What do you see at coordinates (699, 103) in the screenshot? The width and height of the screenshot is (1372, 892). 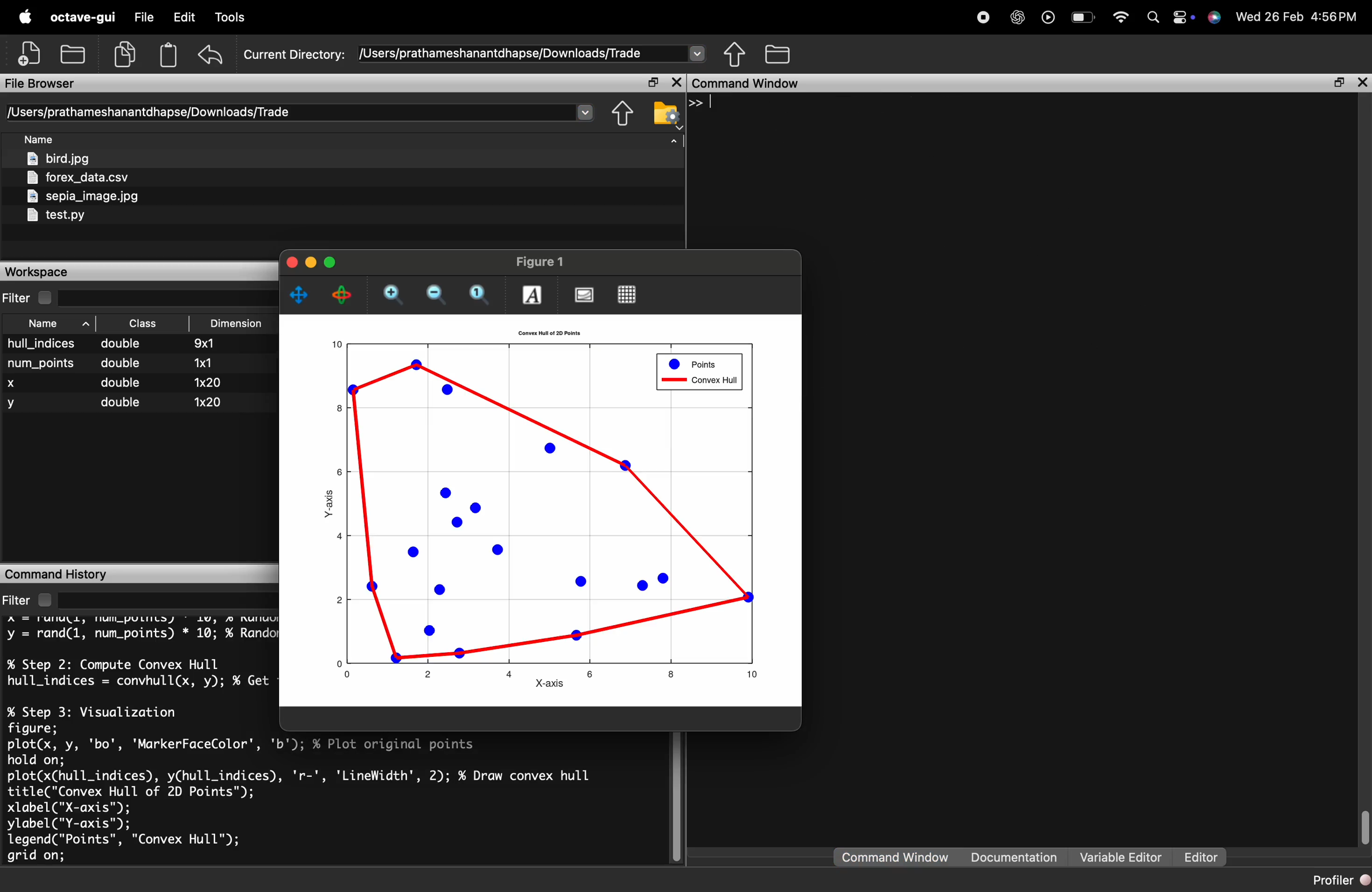 I see `>>` at bounding box center [699, 103].